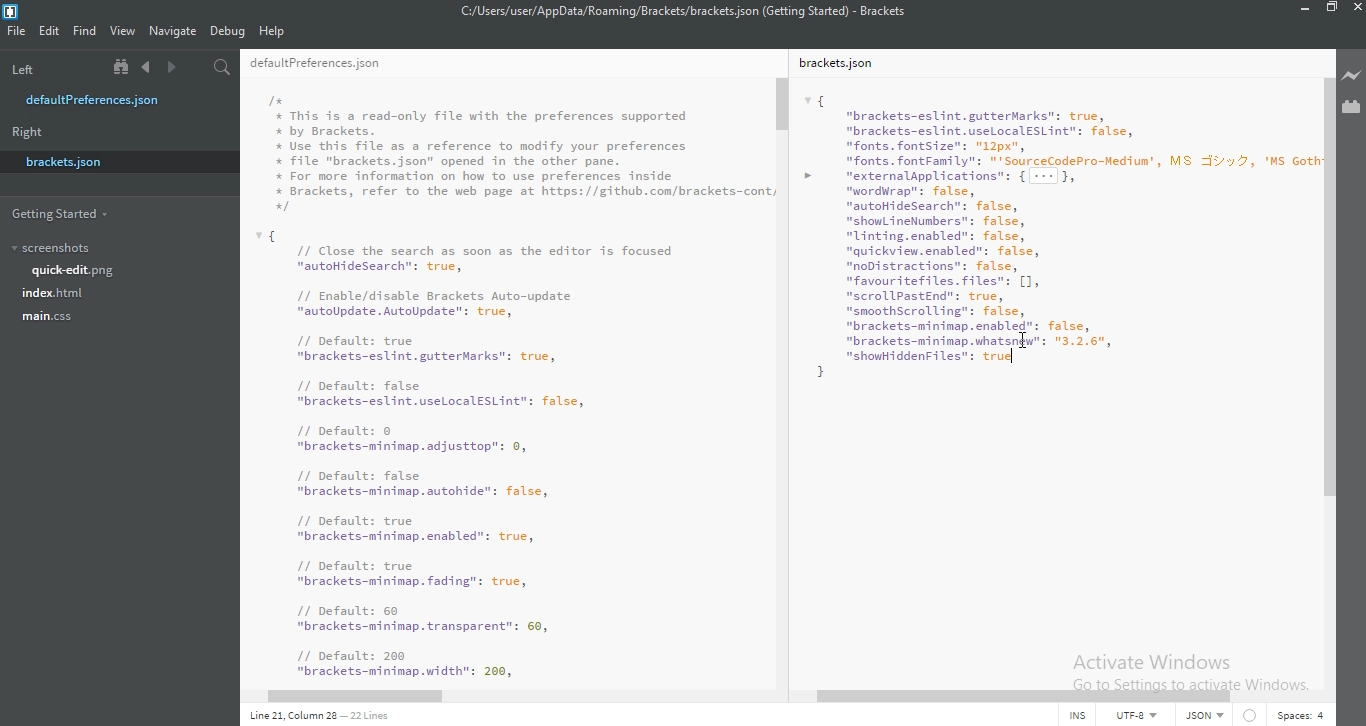 This screenshot has height=726, width=1366. I want to click on search, so click(217, 69).